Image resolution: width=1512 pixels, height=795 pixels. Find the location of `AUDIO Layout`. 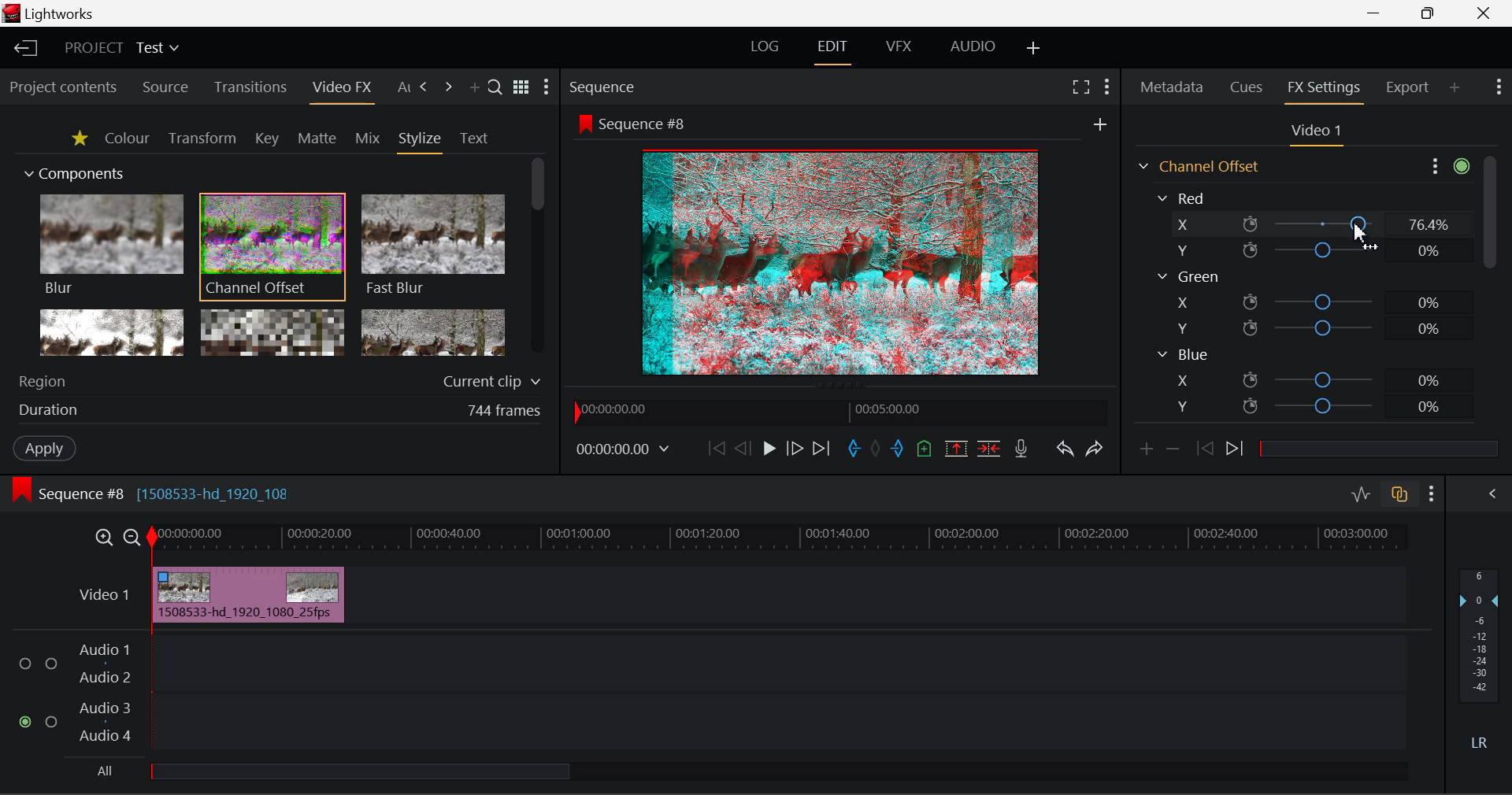

AUDIO Layout is located at coordinates (975, 50).